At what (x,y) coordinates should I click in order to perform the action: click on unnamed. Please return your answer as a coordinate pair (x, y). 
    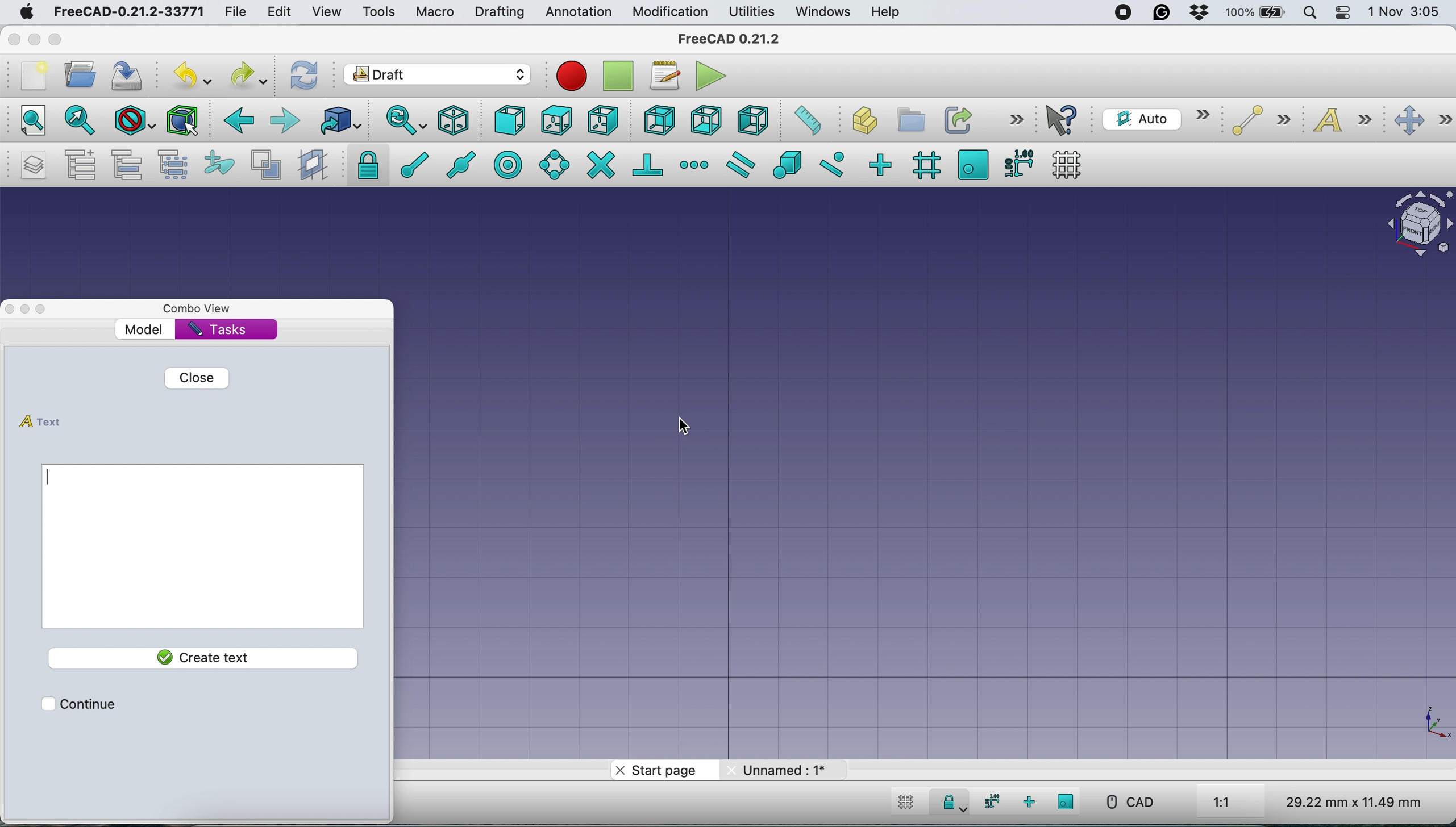
    Looking at the image, I should click on (781, 770).